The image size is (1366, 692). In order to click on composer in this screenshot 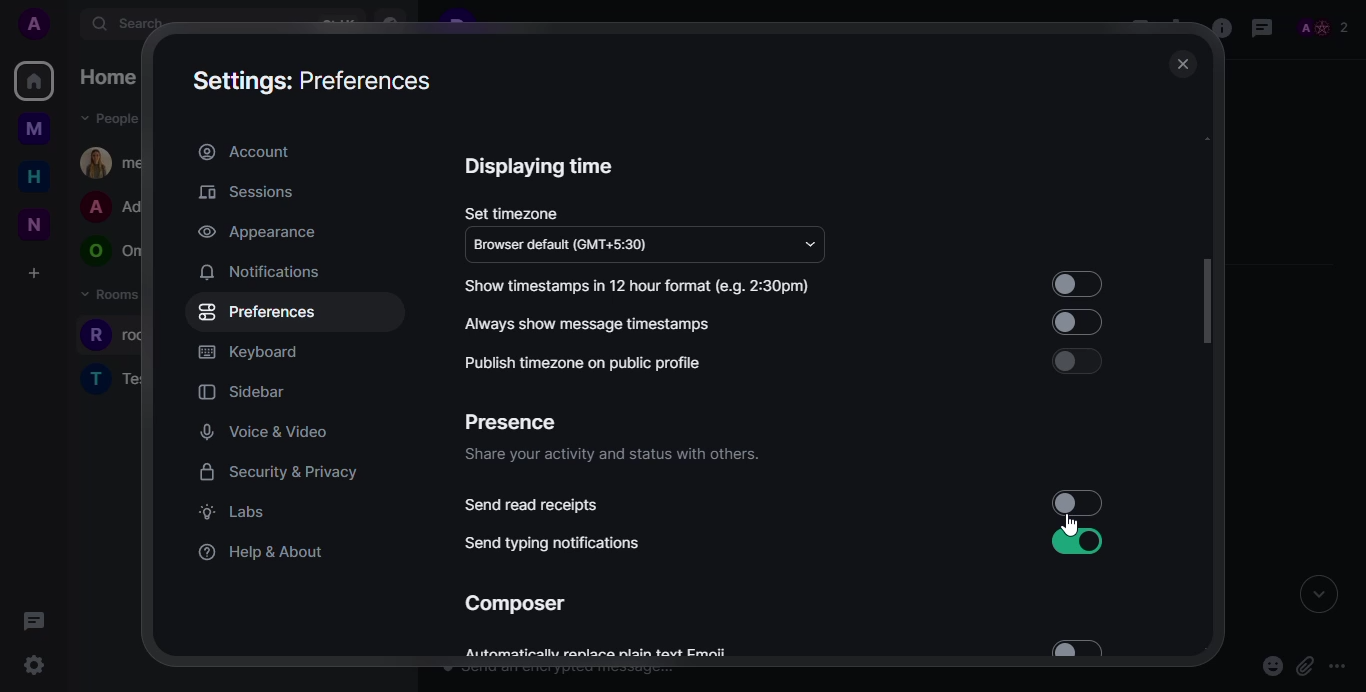, I will do `click(515, 604)`.